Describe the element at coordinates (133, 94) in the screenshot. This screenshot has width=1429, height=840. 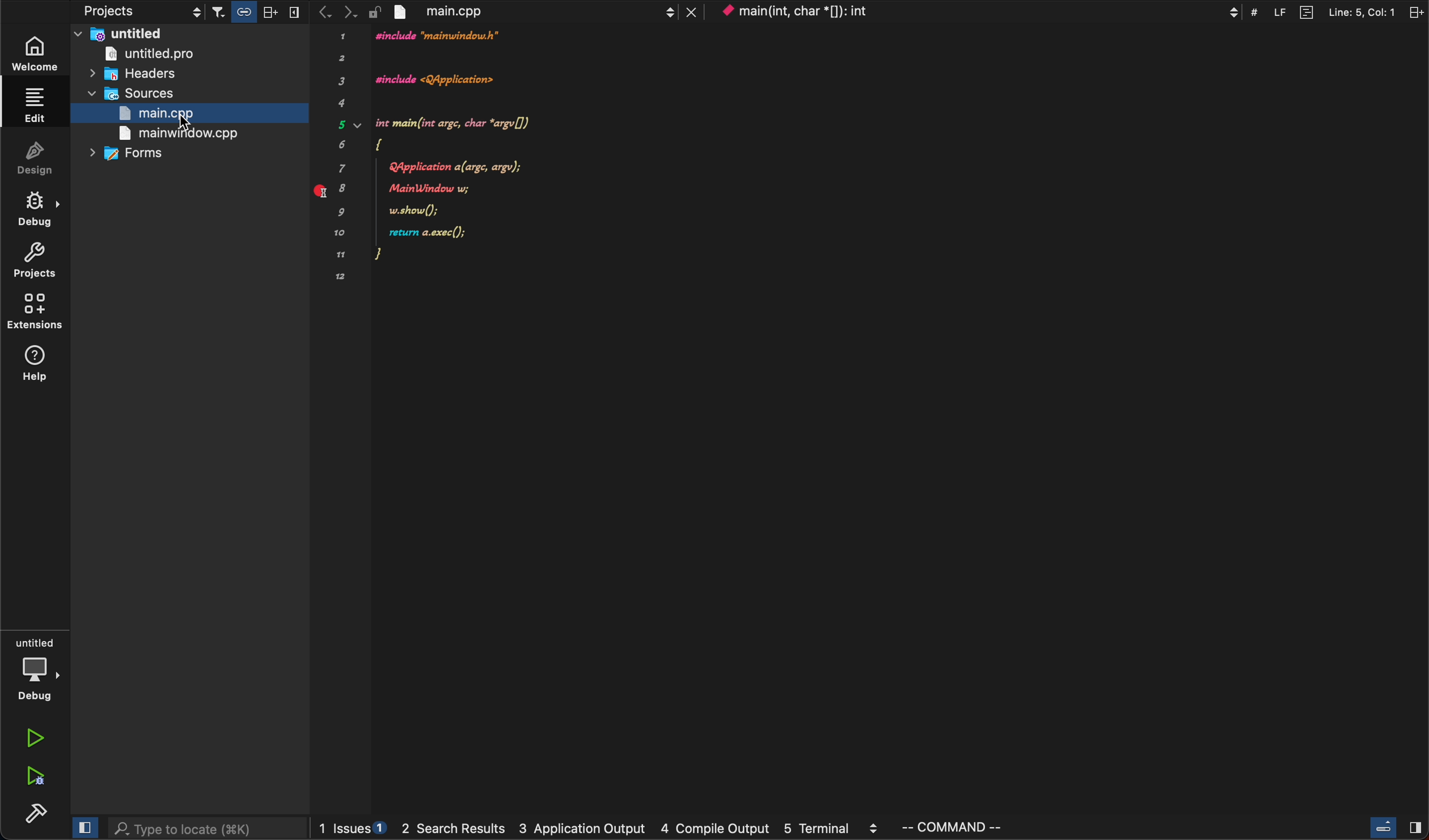
I see `sources` at that location.